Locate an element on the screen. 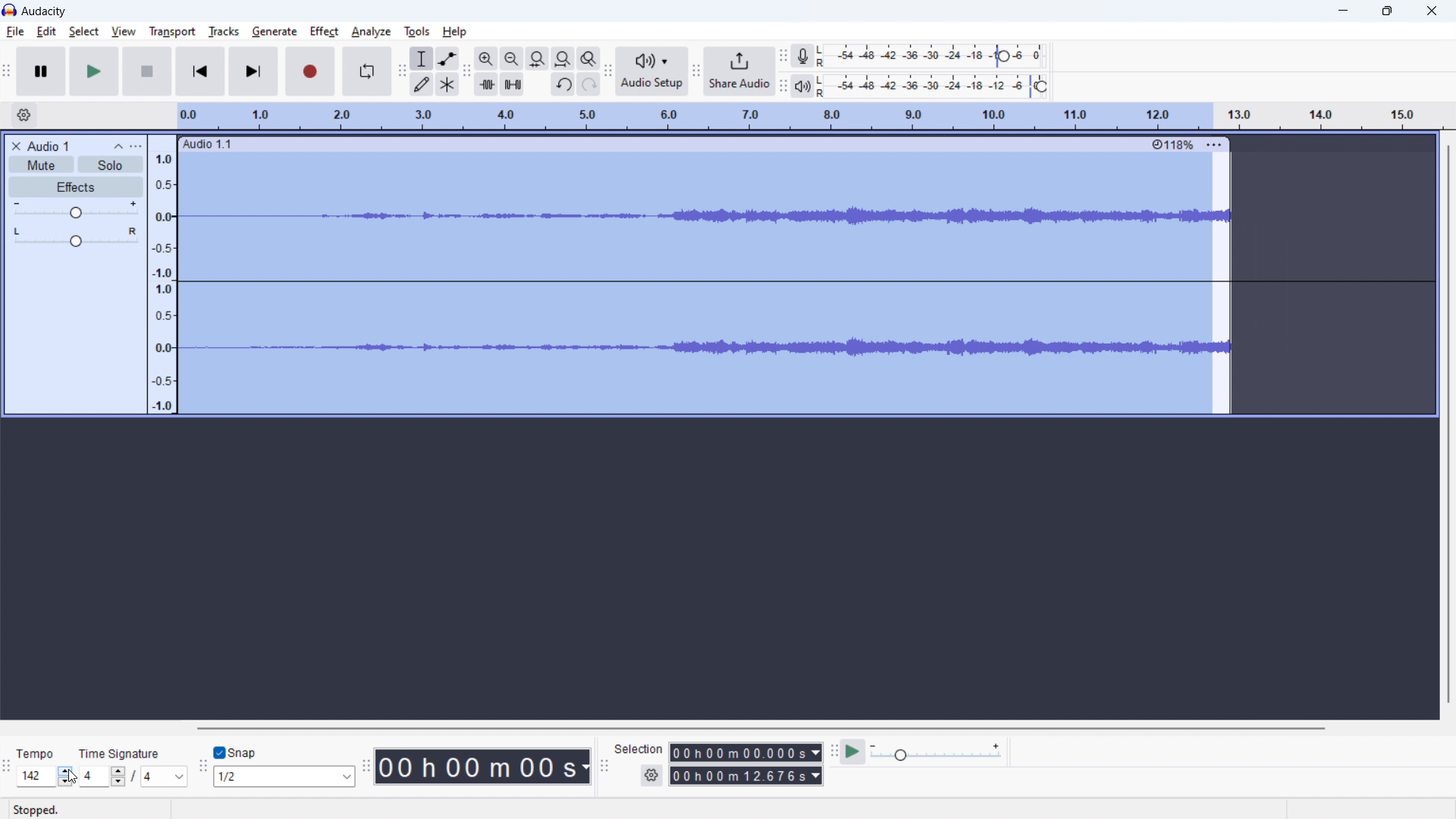 Image resolution: width=1456 pixels, height=819 pixels. pan: center is located at coordinates (76, 236).